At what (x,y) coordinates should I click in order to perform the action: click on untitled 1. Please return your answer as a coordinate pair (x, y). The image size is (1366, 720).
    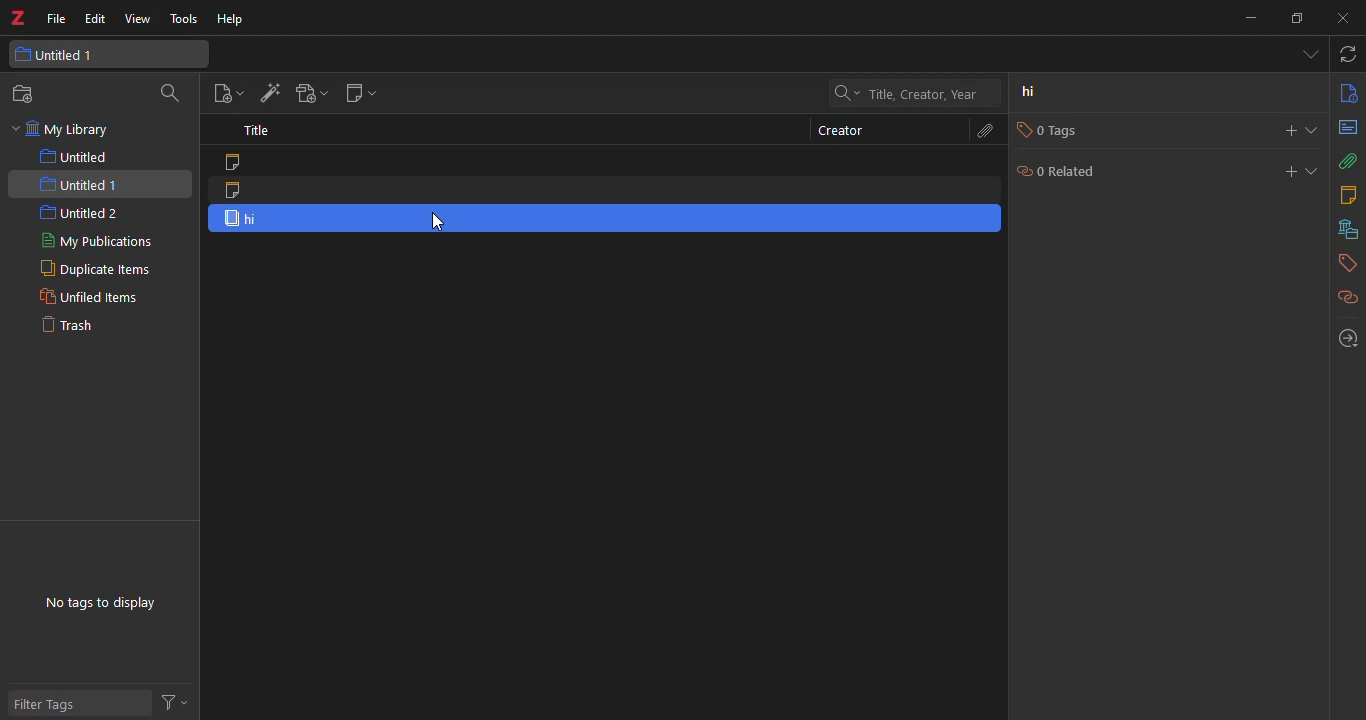
    Looking at the image, I should click on (78, 183).